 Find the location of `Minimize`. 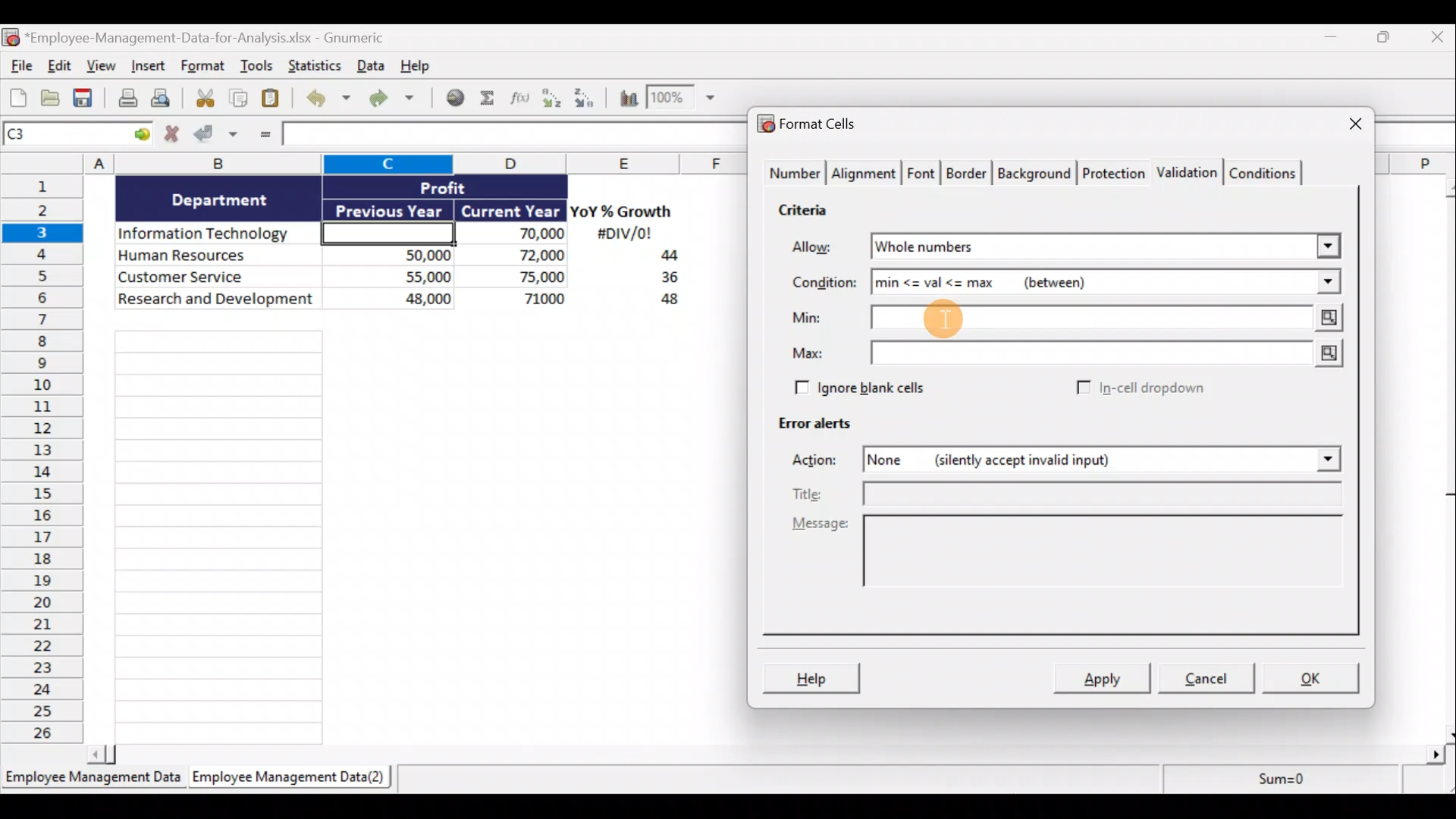

Minimize is located at coordinates (1336, 40).